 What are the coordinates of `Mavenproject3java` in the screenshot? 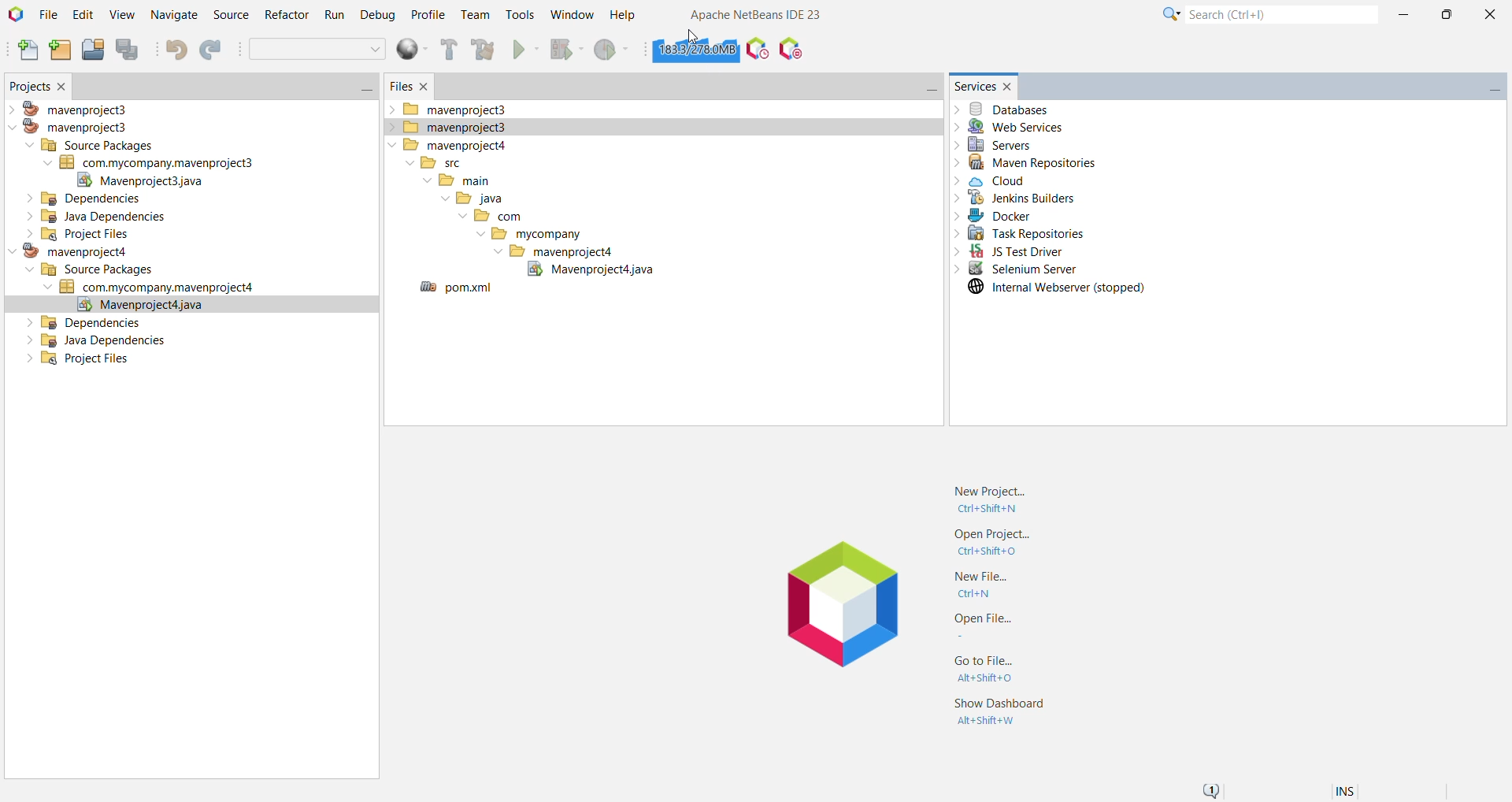 It's located at (586, 272).